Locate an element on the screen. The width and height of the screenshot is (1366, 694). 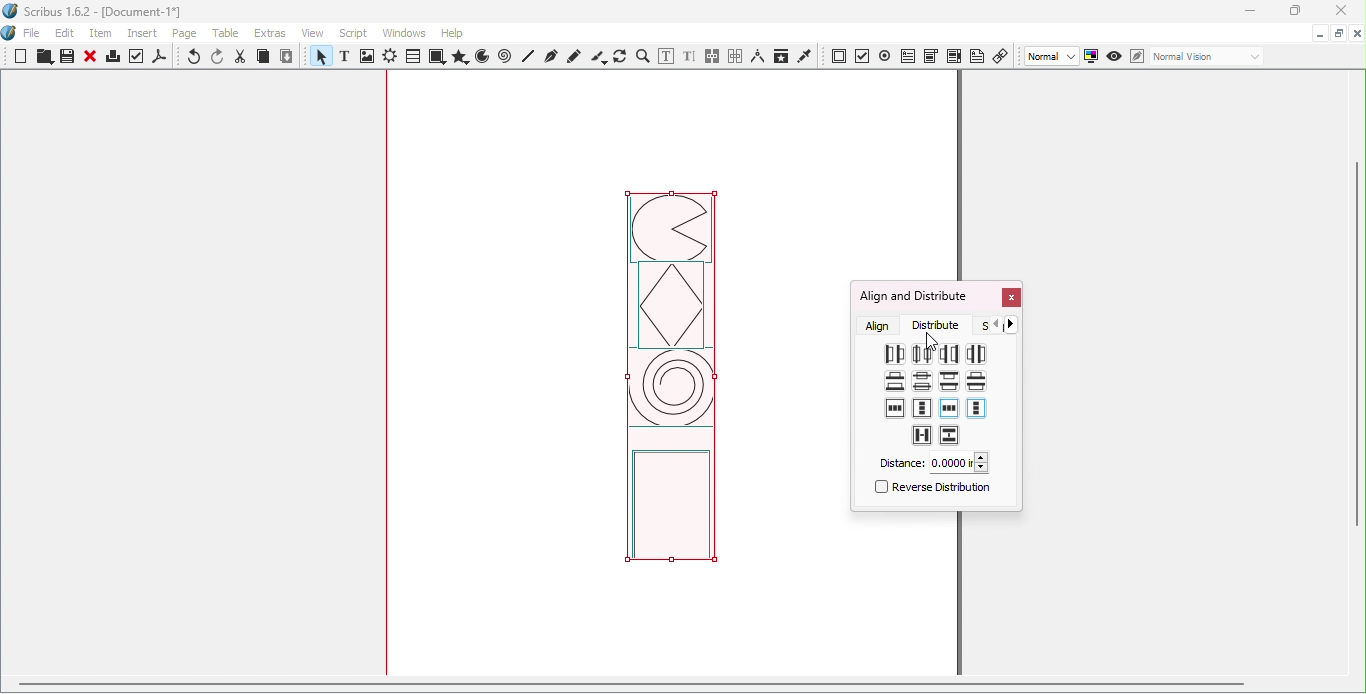
Text frame is located at coordinates (348, 58).